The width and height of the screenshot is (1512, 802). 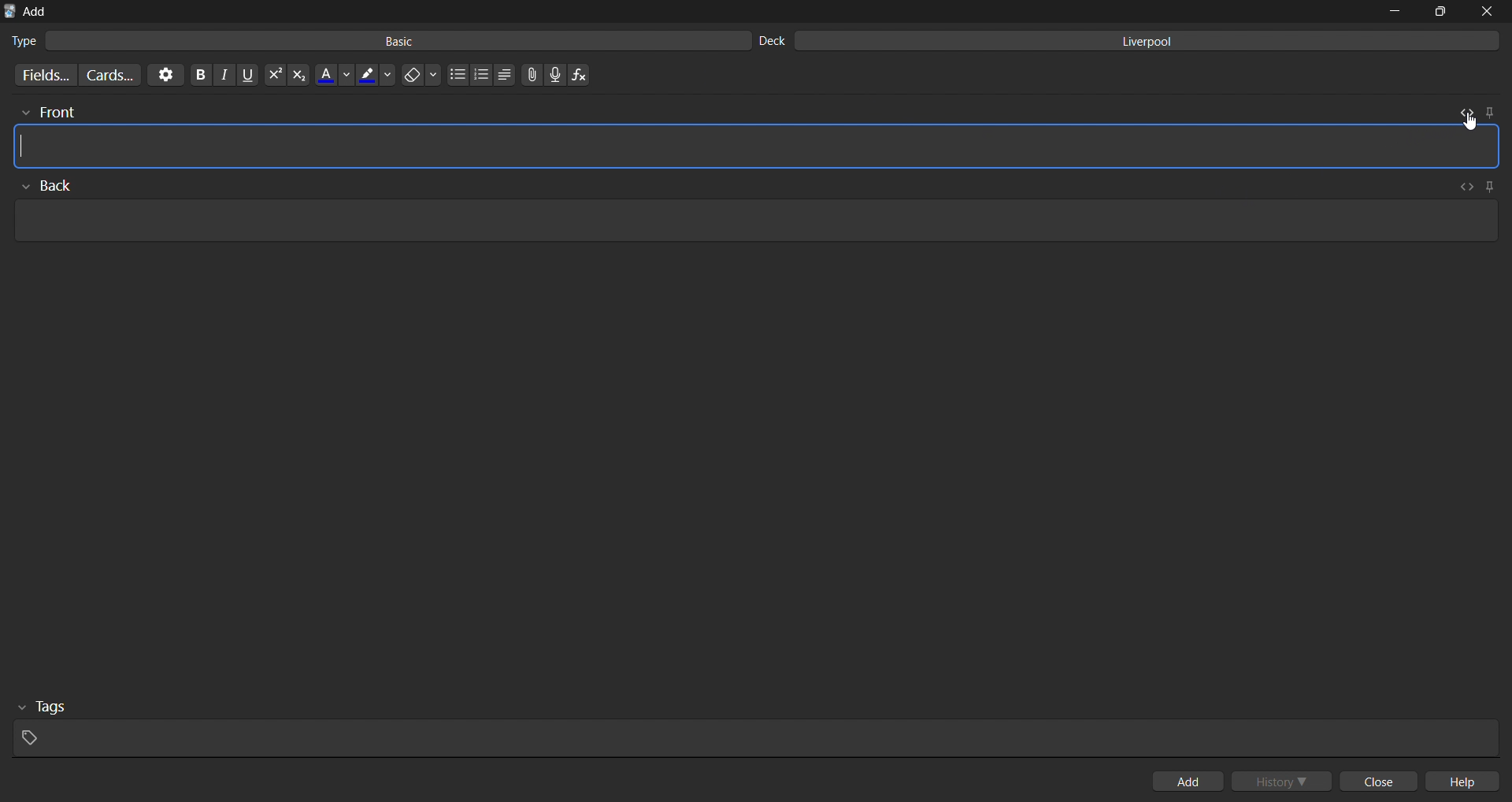 I want to click on cursor, so click(x=1466, y=121).